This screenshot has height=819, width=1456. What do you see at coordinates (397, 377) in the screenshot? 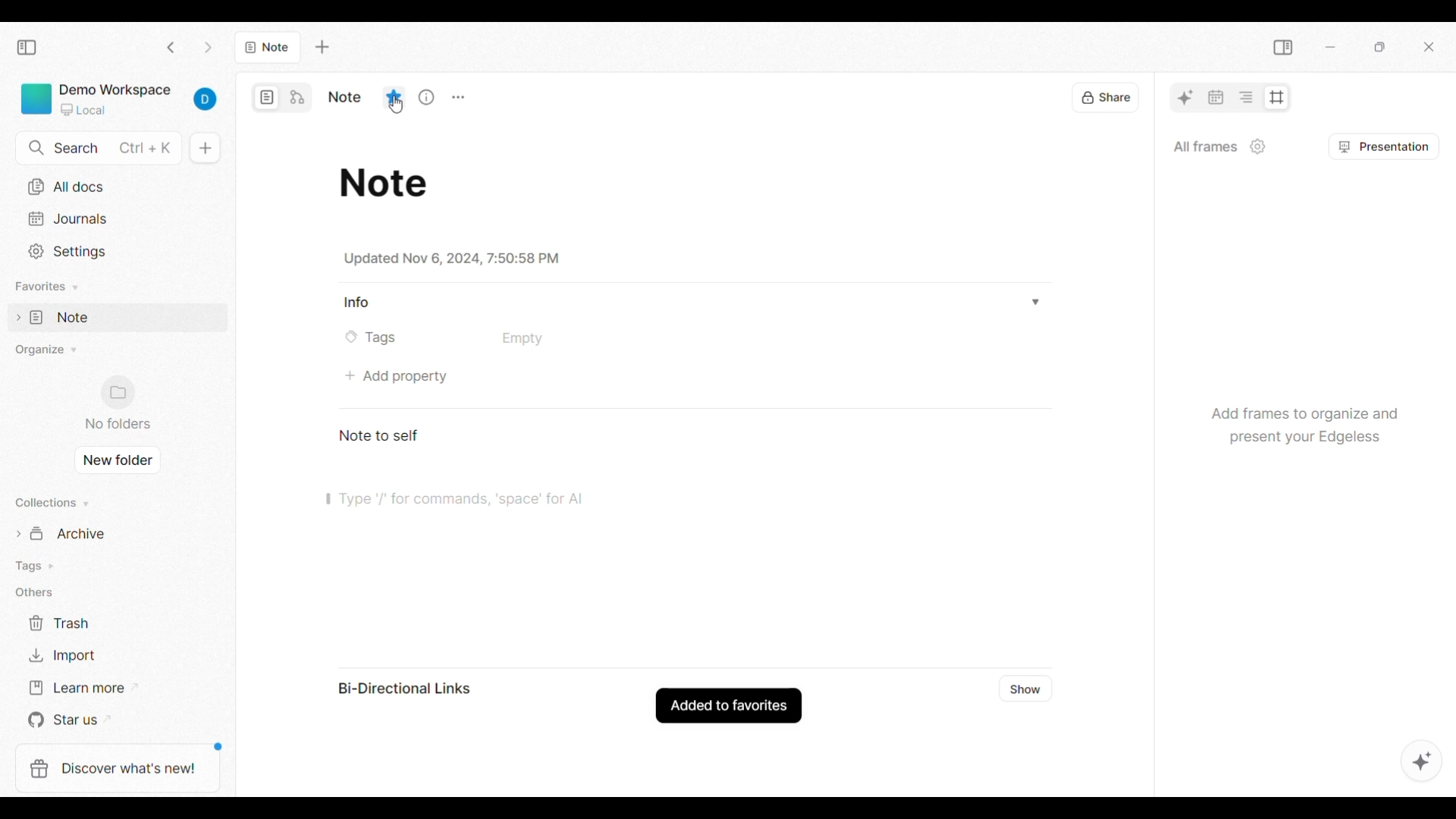
I see `Add property` at bounding box center [397, 377].